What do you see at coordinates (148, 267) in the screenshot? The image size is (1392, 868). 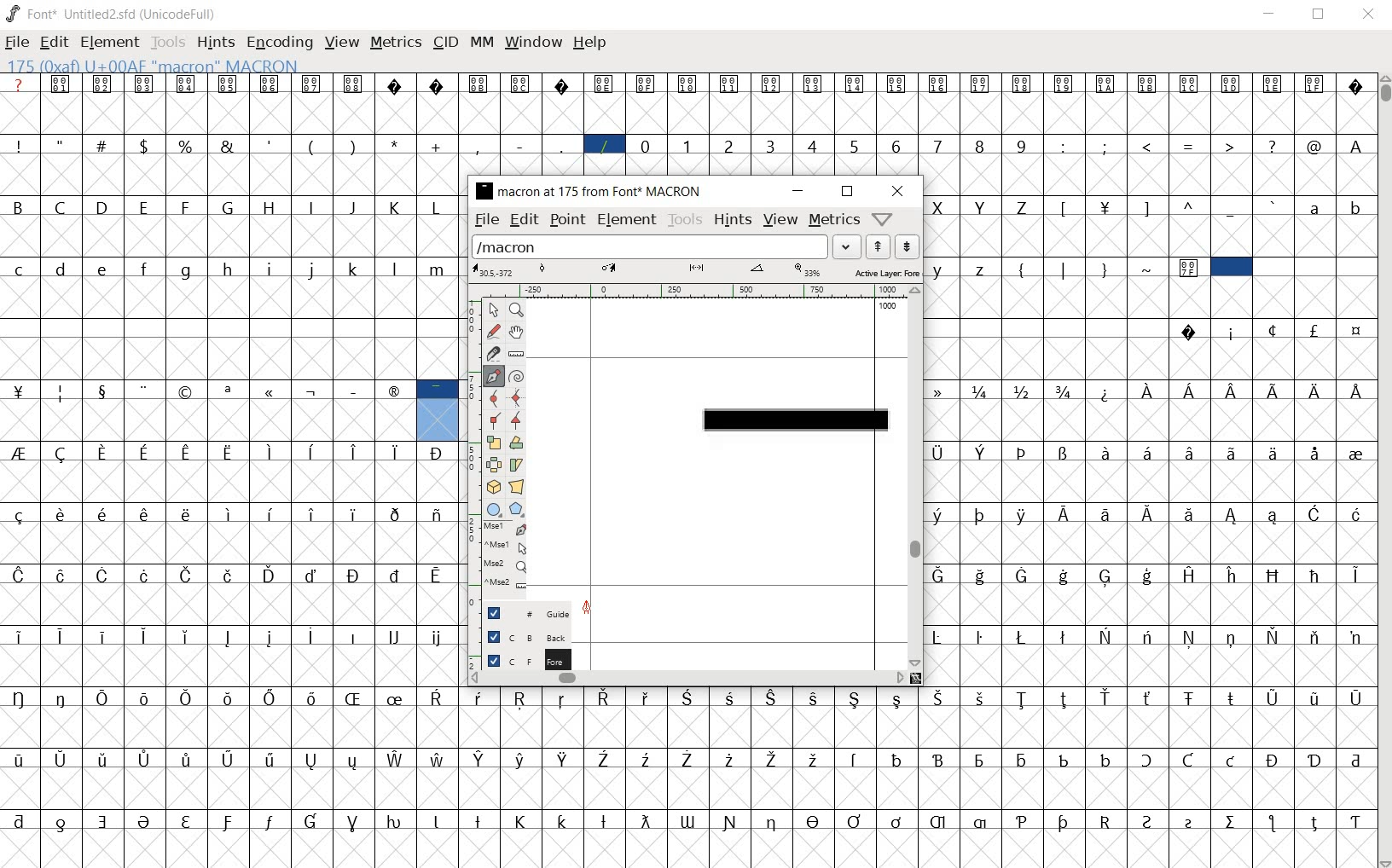 I see `f` at bounding box center [148, 267].